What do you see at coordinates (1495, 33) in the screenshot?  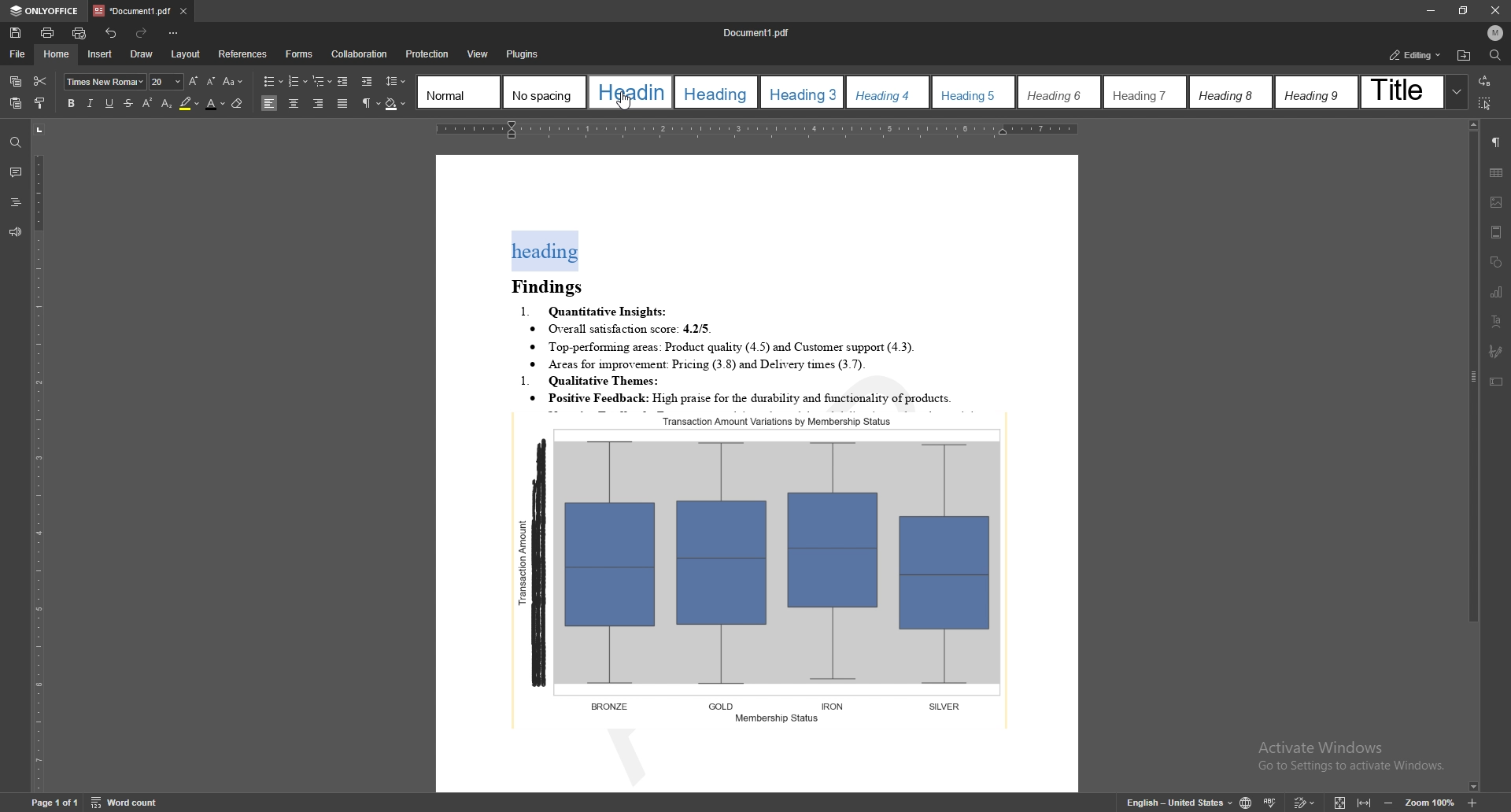 I see `profile` at bounding box center [1495, 33].